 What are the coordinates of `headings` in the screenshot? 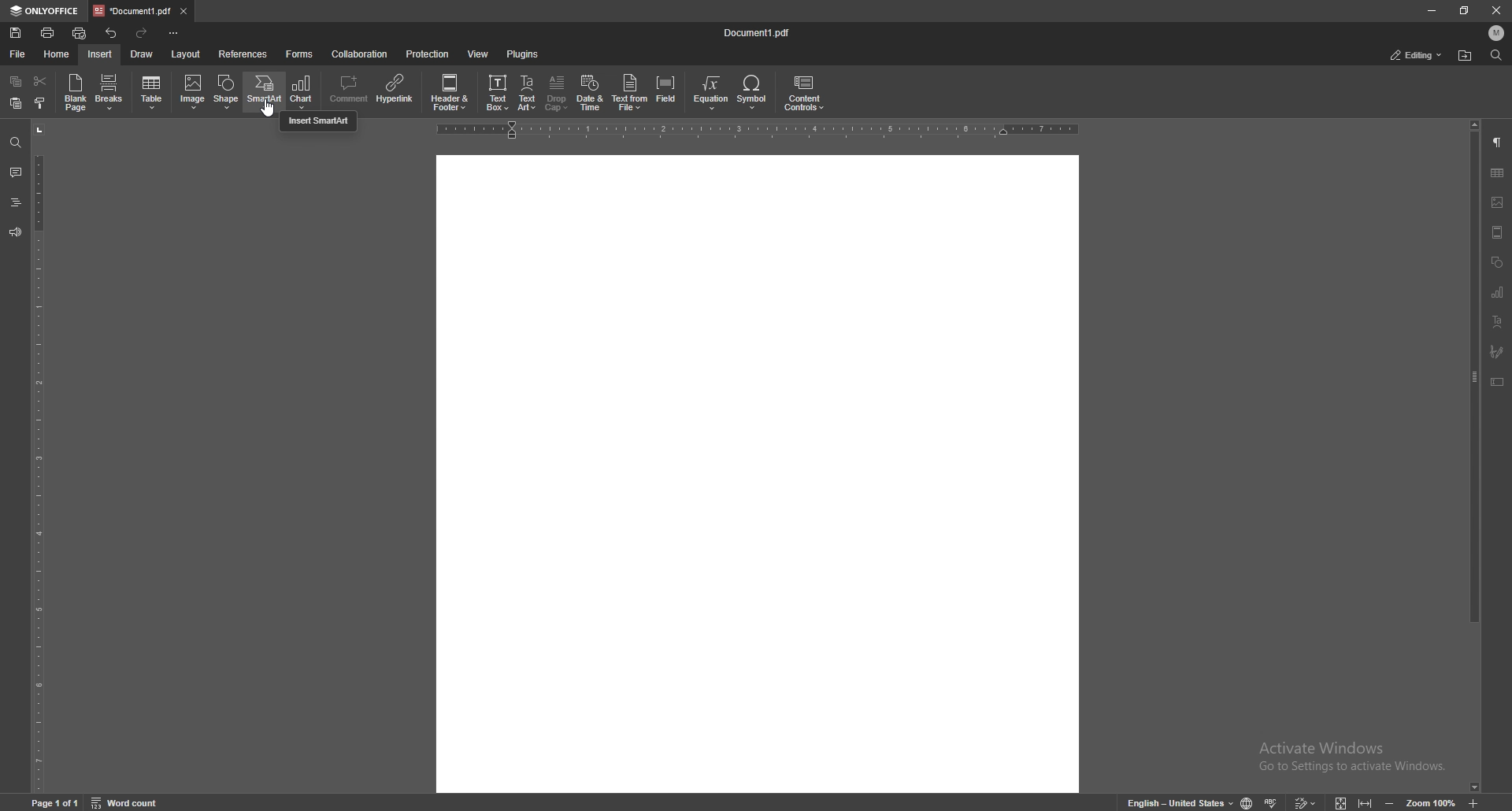 It's located at (16, 202).